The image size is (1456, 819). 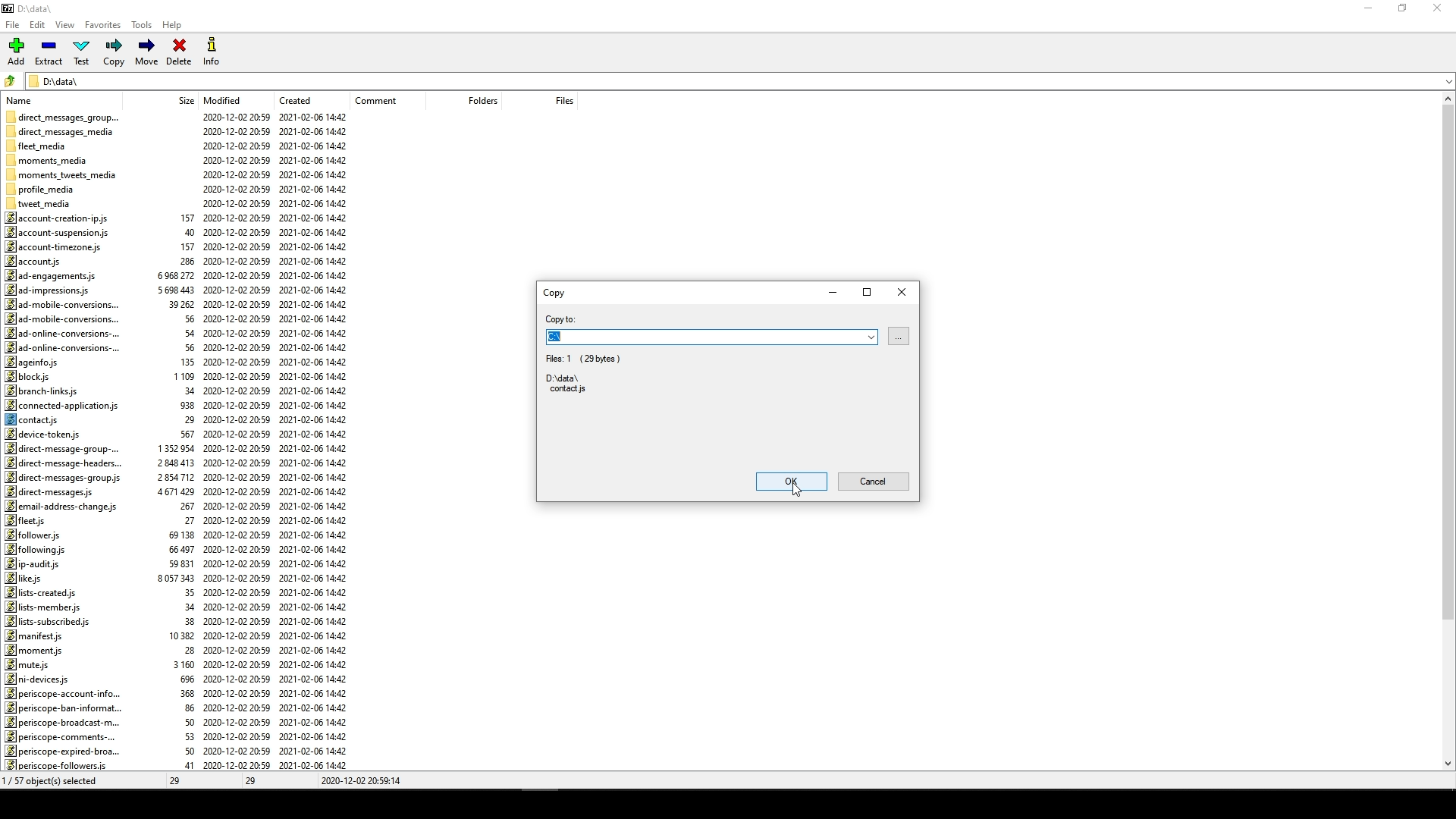 I want to click on contacts.js, so click(x=37, y=419).